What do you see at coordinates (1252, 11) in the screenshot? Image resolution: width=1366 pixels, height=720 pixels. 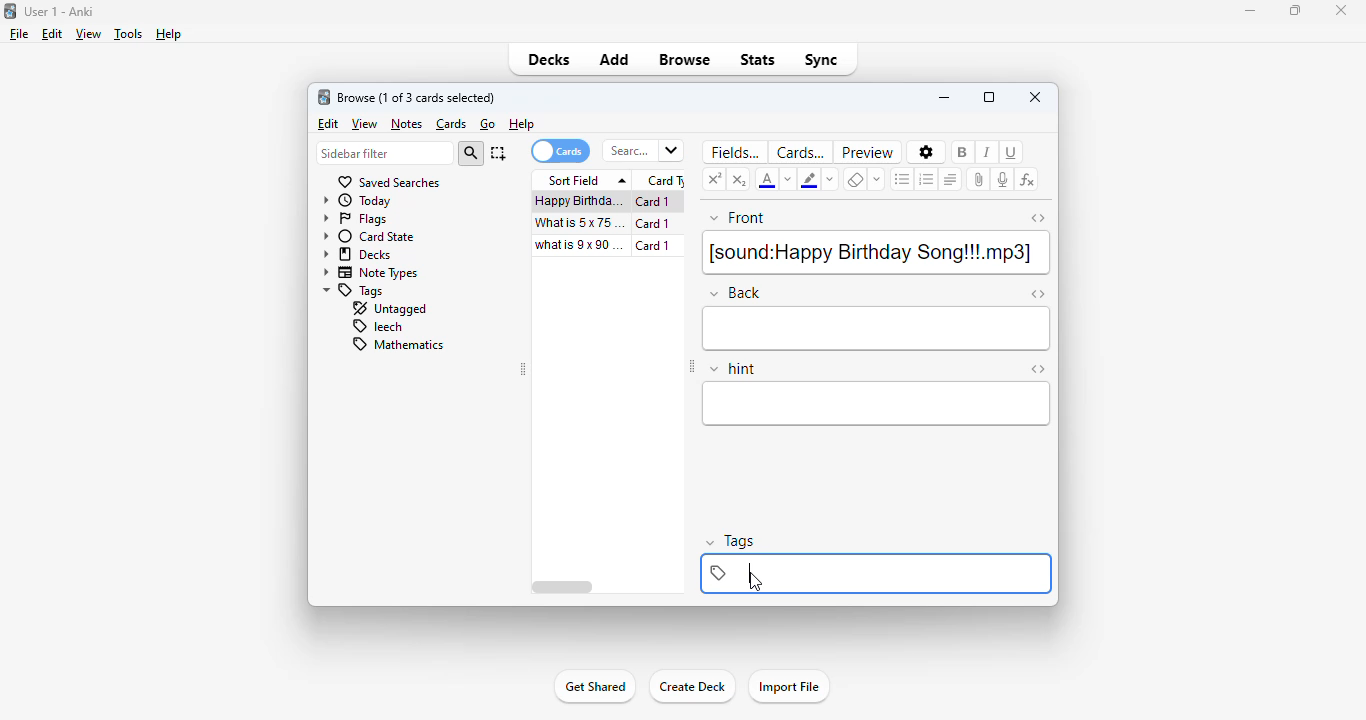 I see `minimize` at bounding box center [1252, 11].